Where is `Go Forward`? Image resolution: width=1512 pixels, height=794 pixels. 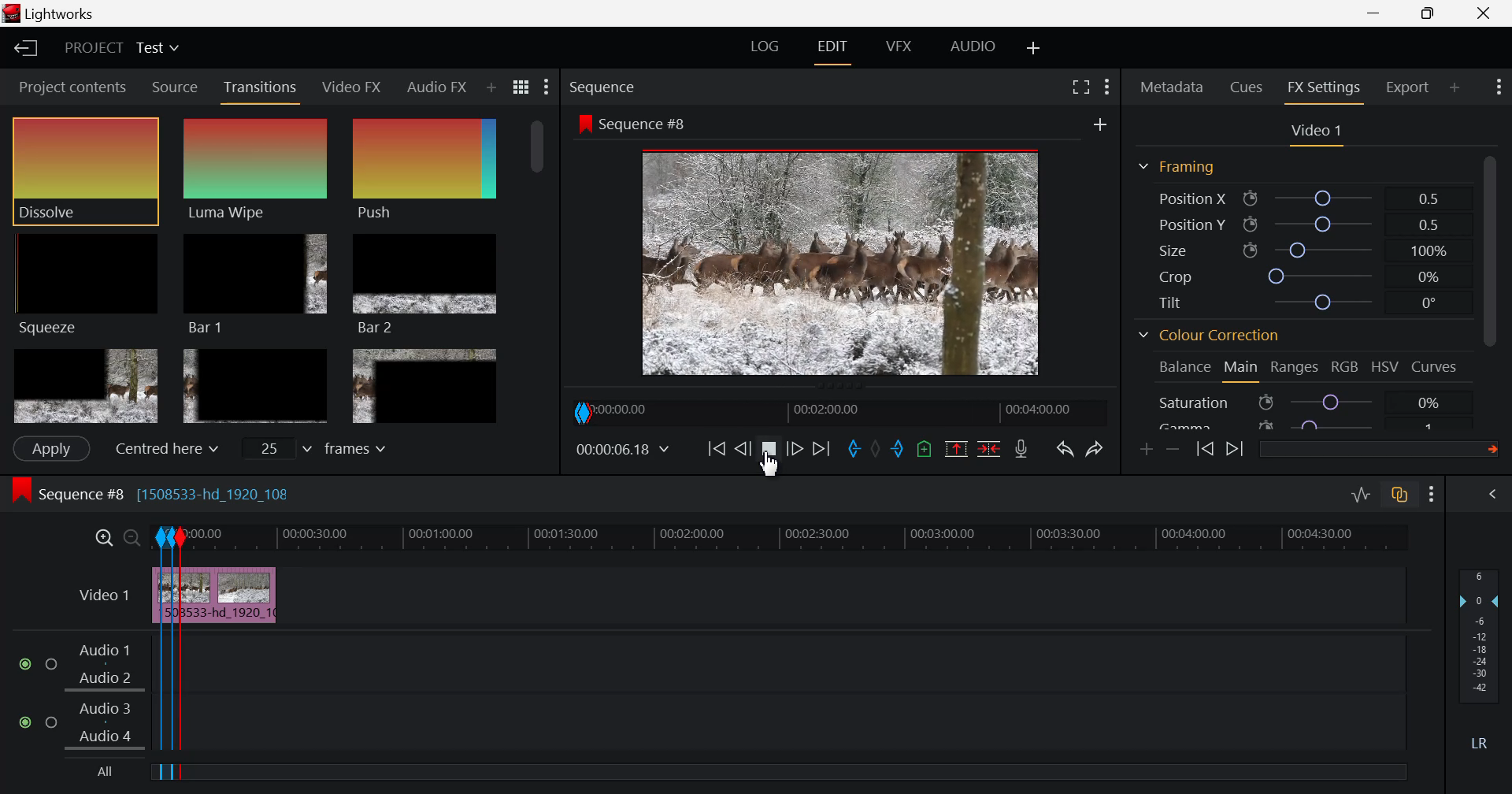 Go Forward is located at coordinates (795, 450).